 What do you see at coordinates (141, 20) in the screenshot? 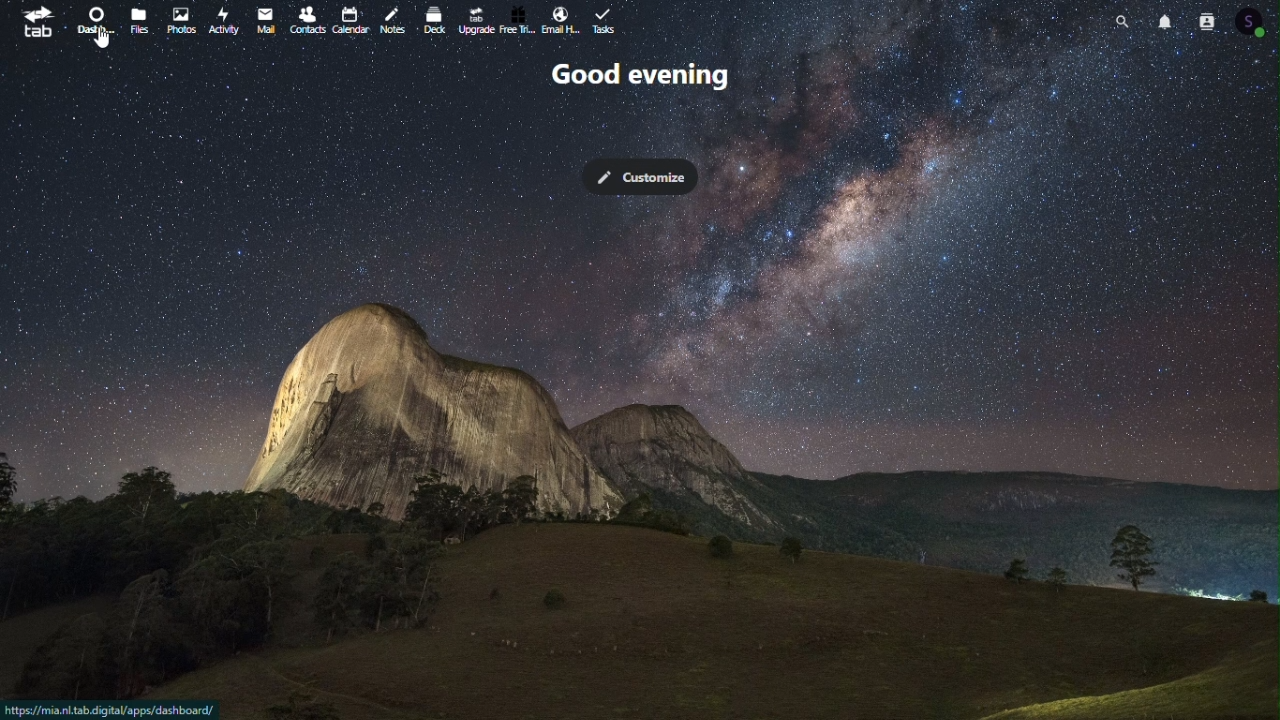
I see `files` at bounding box center [141, 20].